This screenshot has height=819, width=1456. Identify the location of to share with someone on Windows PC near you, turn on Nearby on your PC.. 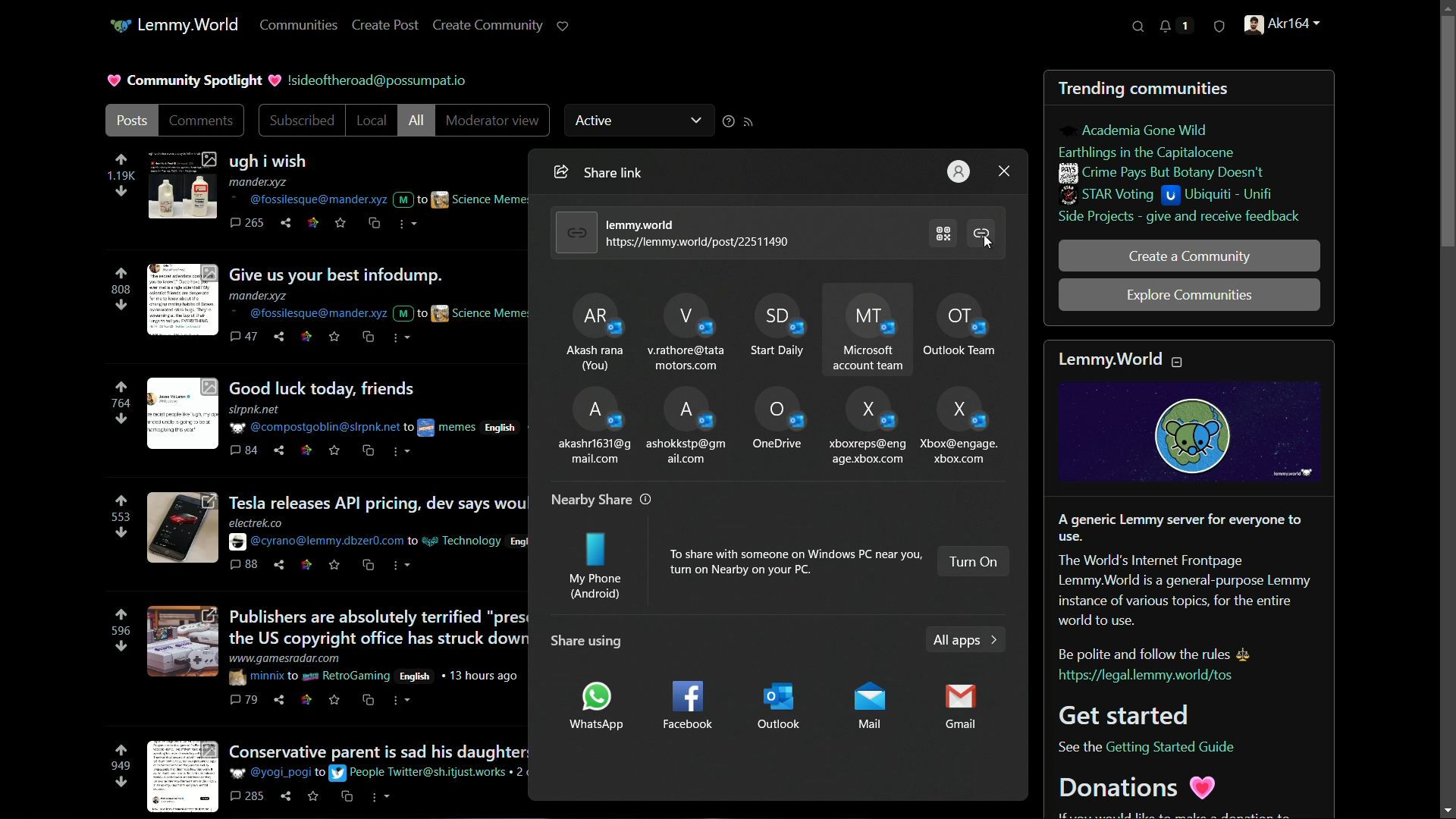
(794, 562).